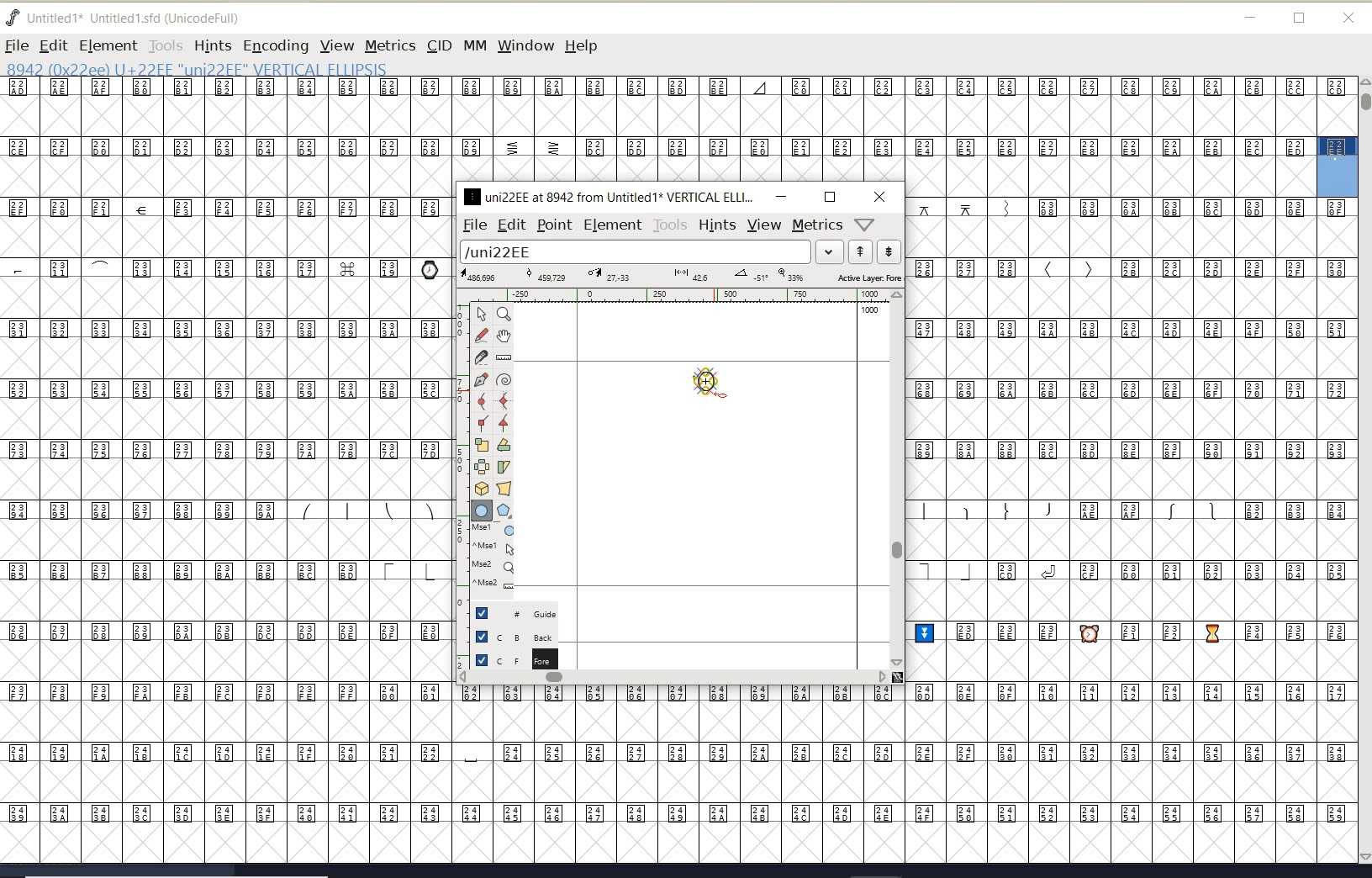 This screenshot has height=878, width=1372. Describe the element at coordinates (53, 45) in the screenshot. I see `EDIT` at that location.